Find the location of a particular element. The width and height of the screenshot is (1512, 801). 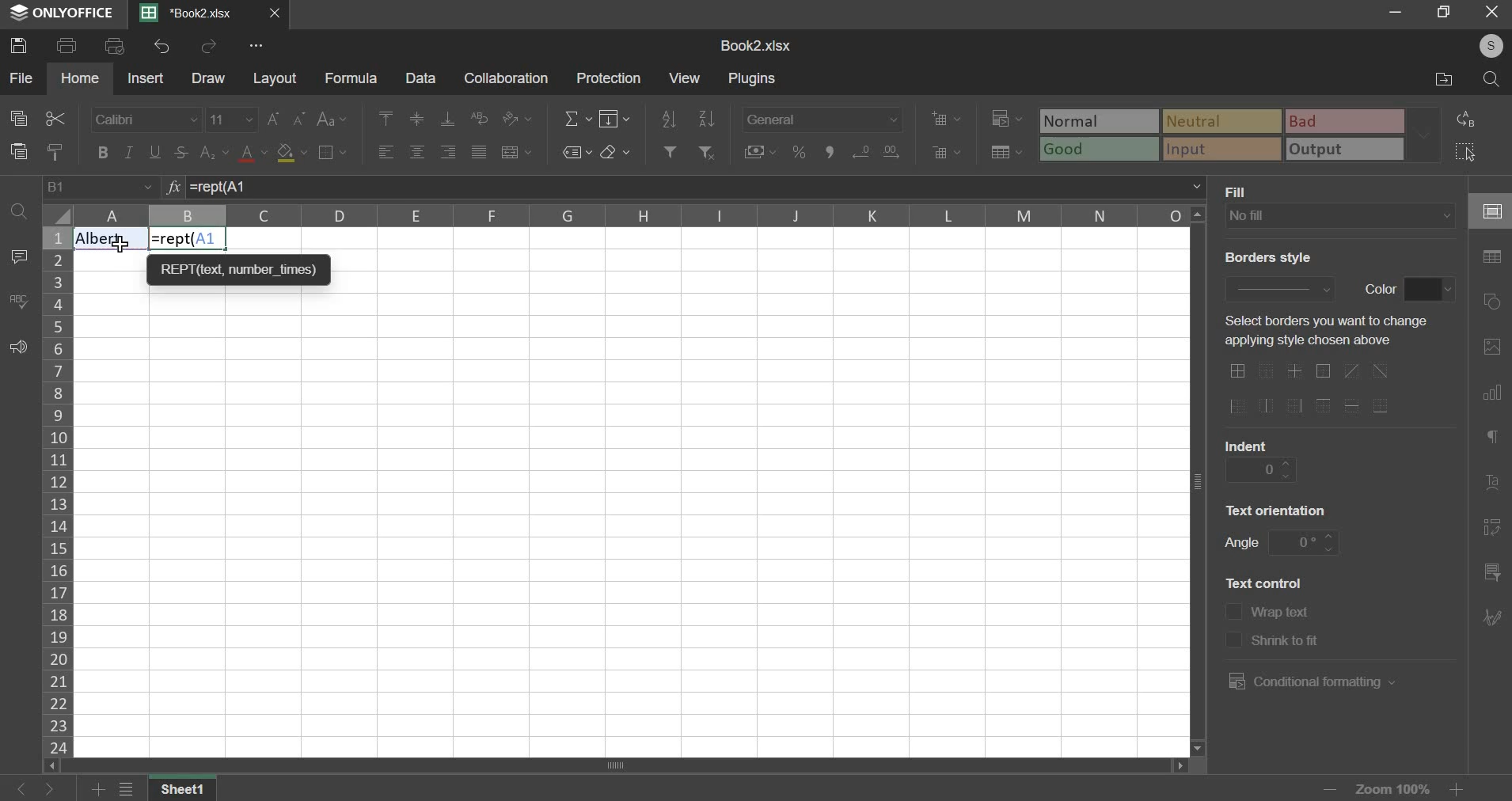

text art settings is located at coordinates (1495, 480).